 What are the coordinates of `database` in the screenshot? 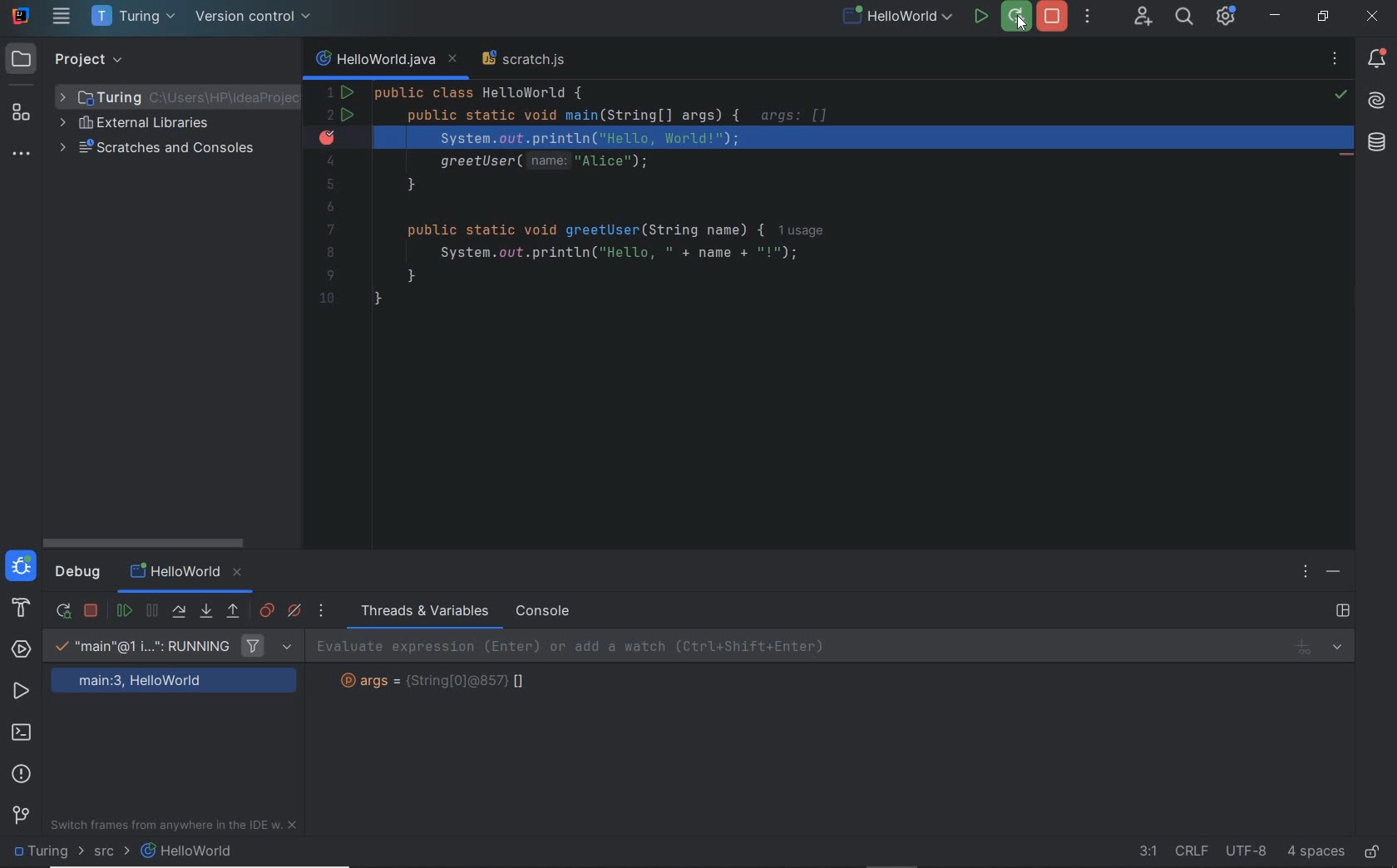 It's located at (1375, 145).